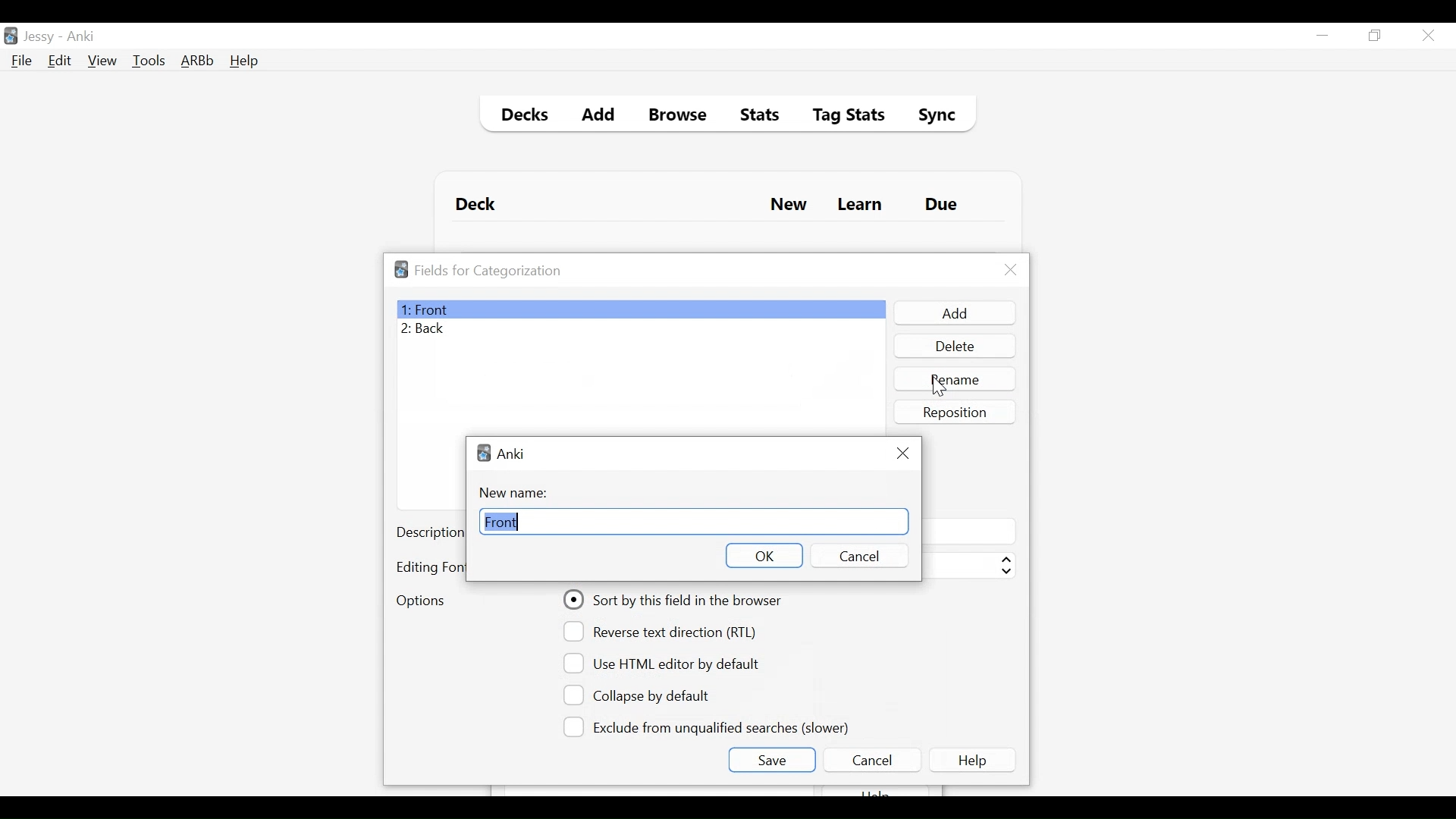 Image resolution: width=1456 pixels, height=819 pixels. I want to click on Field for Categorization, so click(488, 271).